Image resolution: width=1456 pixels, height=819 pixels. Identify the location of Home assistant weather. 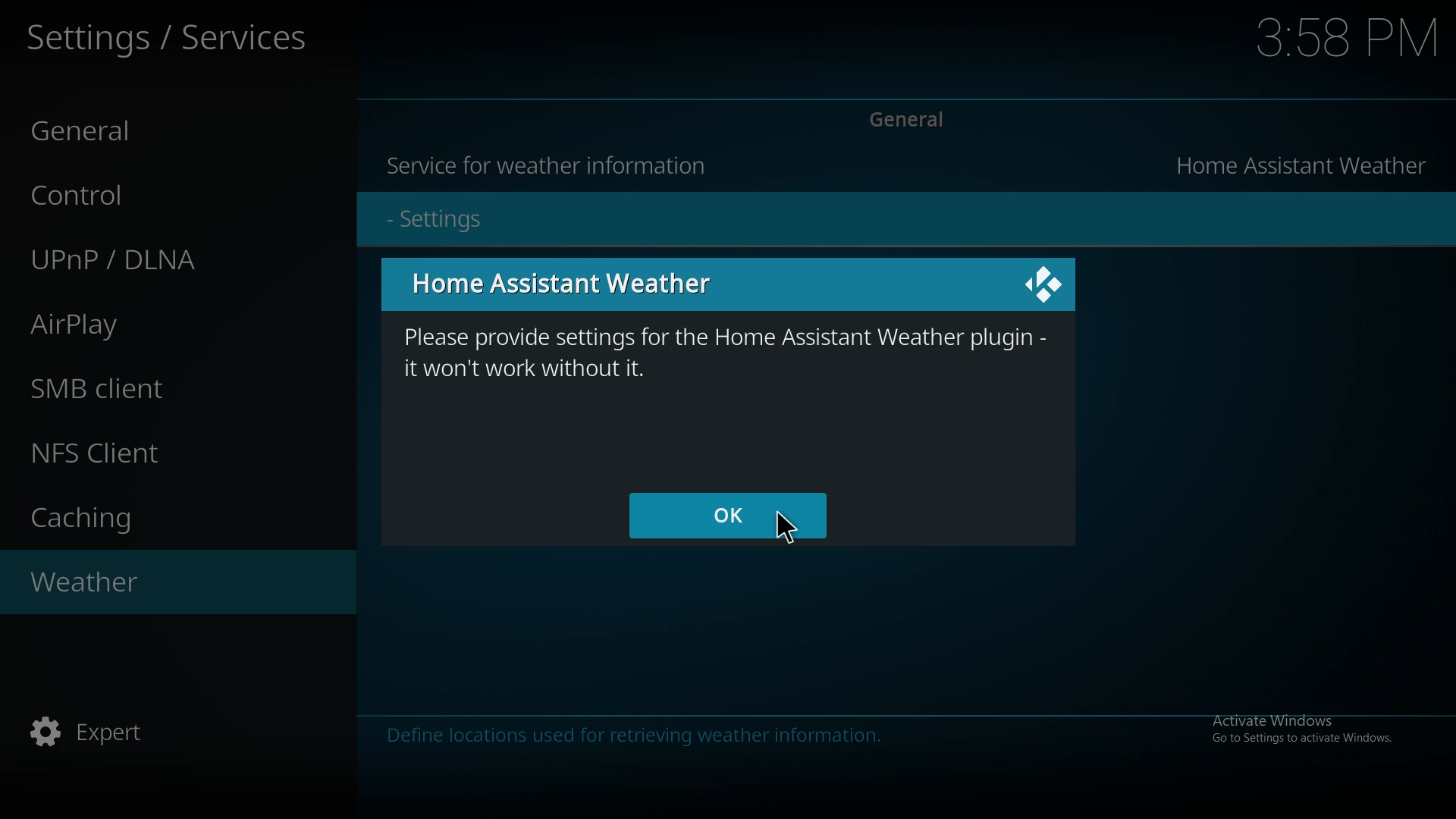
(1307, 164).